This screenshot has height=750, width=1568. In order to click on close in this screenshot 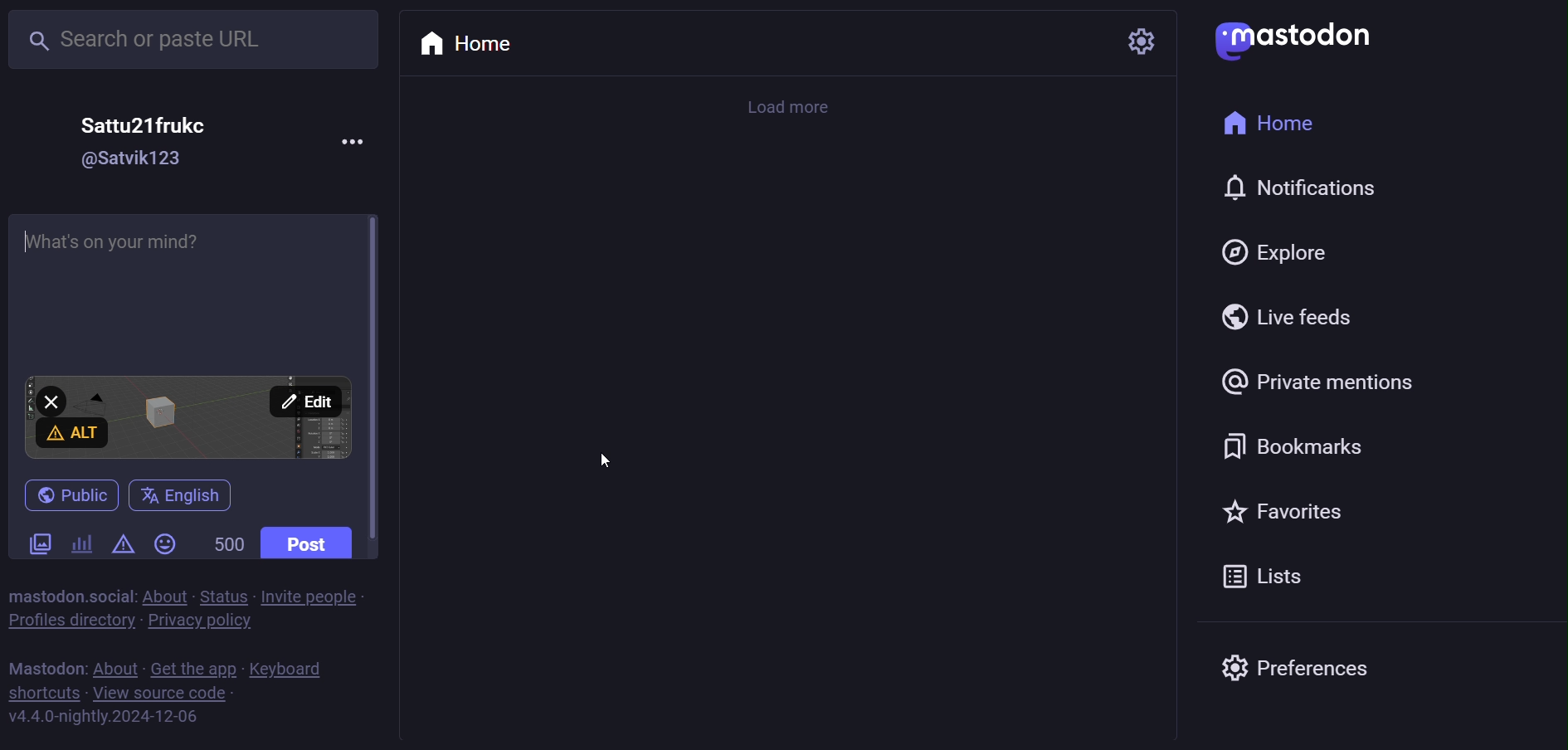, I will do `click(49, 398)`.